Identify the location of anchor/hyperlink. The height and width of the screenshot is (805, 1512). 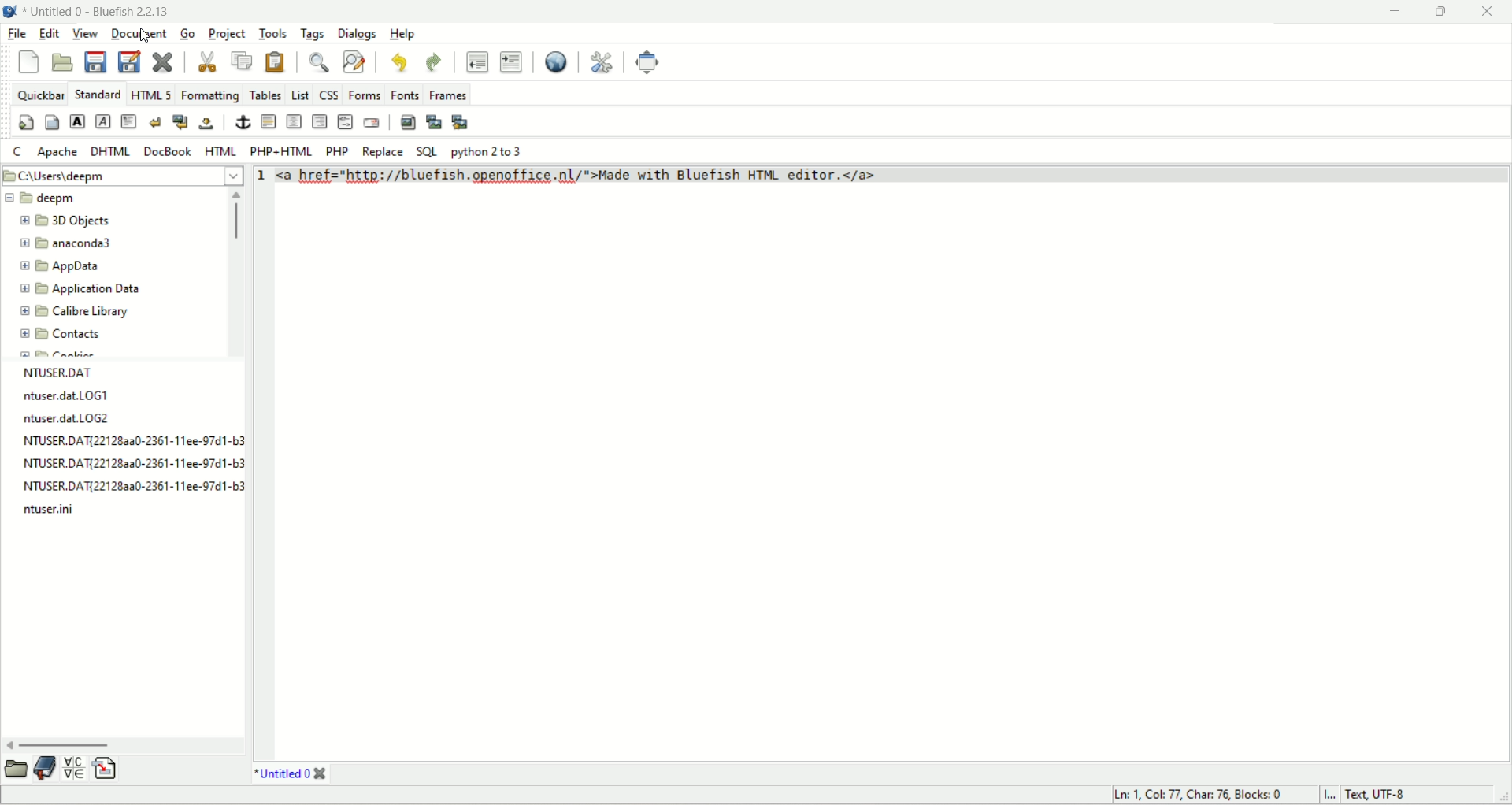
(242, 121).